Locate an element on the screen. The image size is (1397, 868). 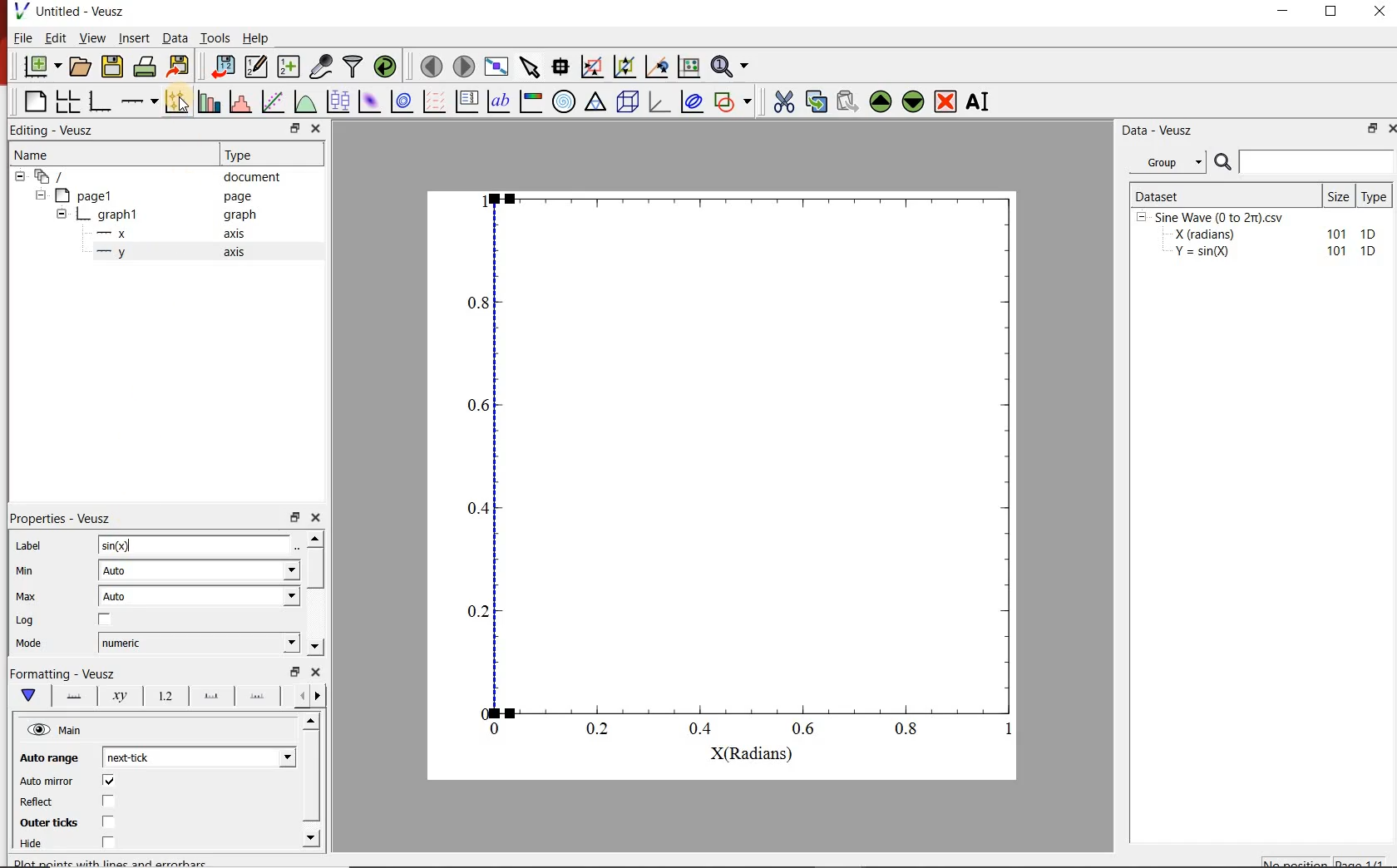
Move right is located at coordinates (320, 696).